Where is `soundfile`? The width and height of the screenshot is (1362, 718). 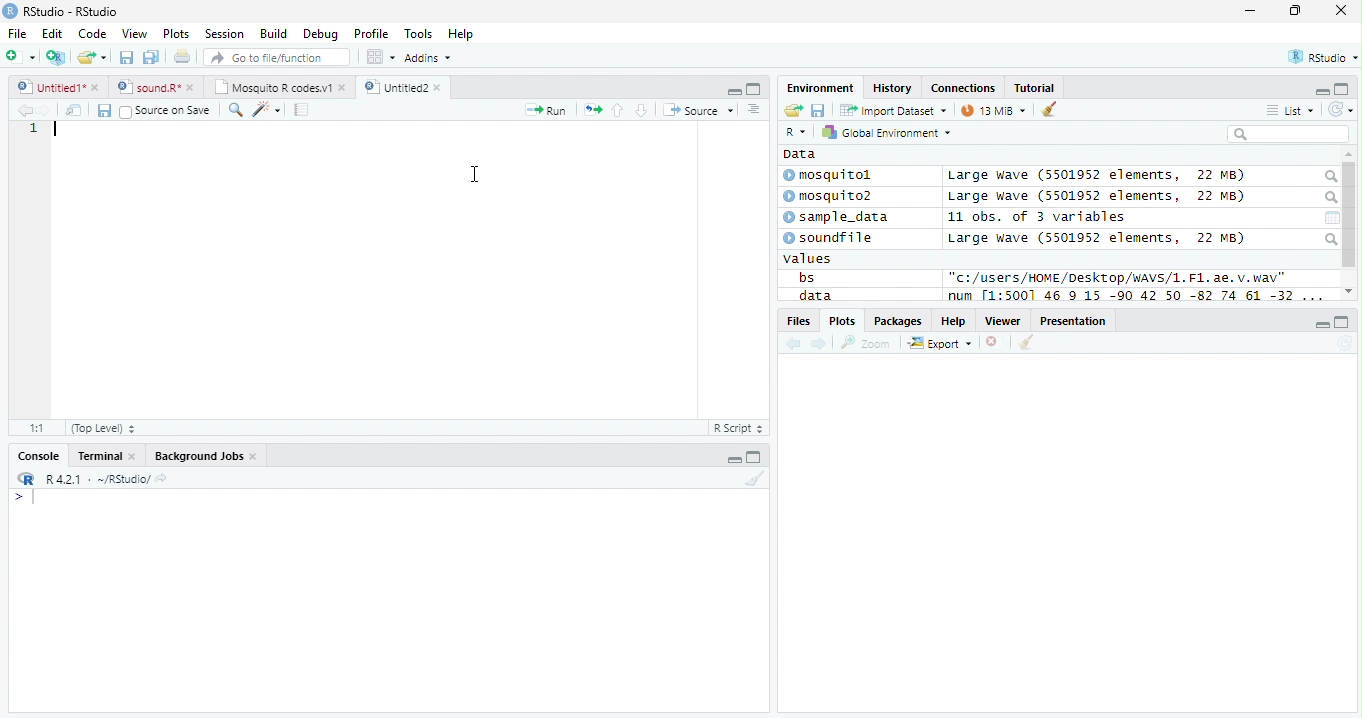
soundfile is located at coordinates (829, 238).